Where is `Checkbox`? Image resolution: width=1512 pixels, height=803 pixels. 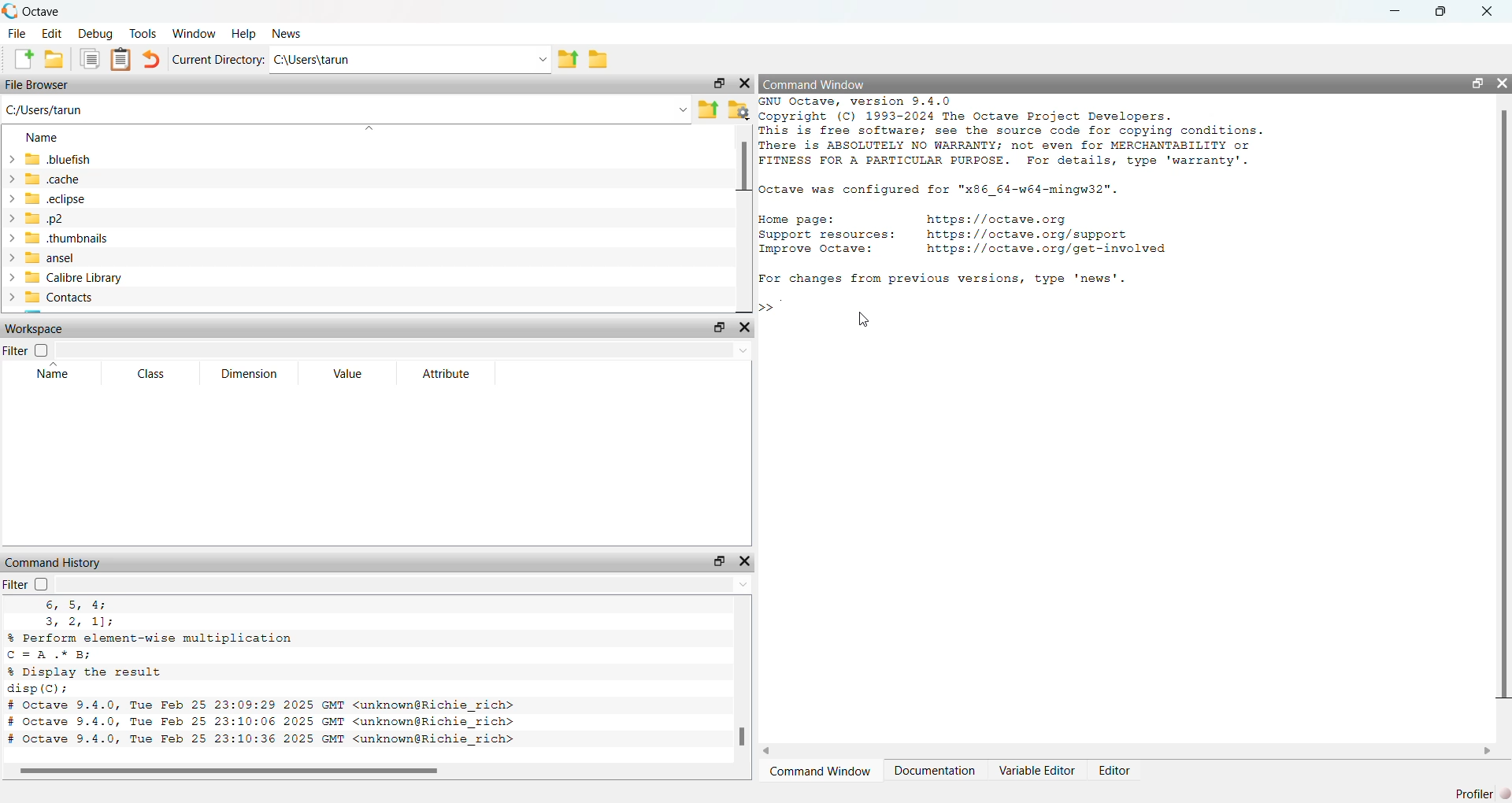
Checkbox is located at coordinates (41, 583).